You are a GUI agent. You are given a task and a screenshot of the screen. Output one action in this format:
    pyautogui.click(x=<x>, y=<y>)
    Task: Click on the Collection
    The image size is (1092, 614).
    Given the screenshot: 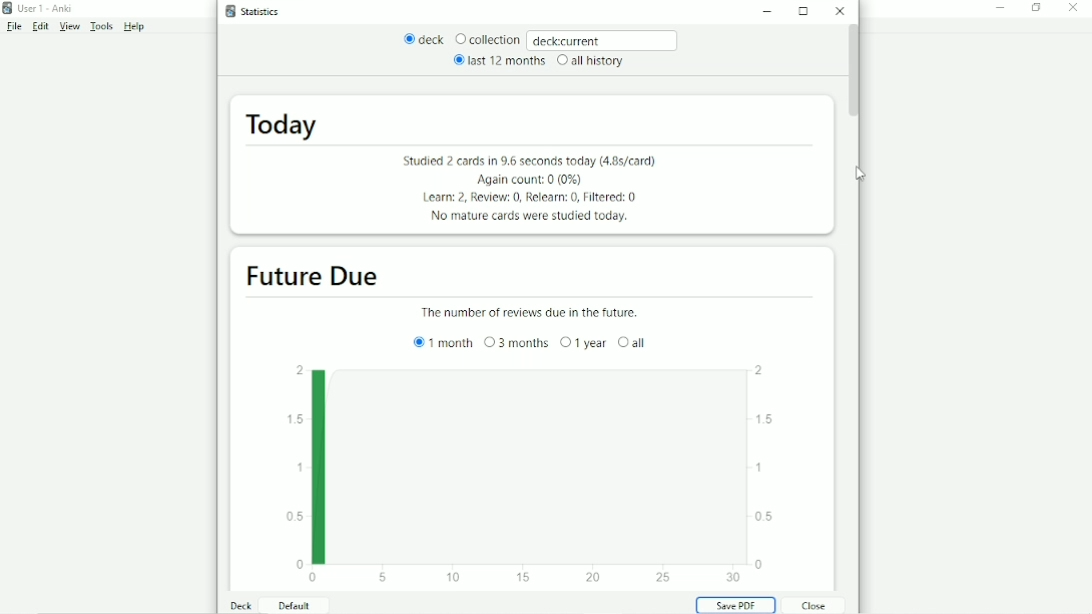 What is the action you would take?
    pyautogui.click(x=487, y=40)
    